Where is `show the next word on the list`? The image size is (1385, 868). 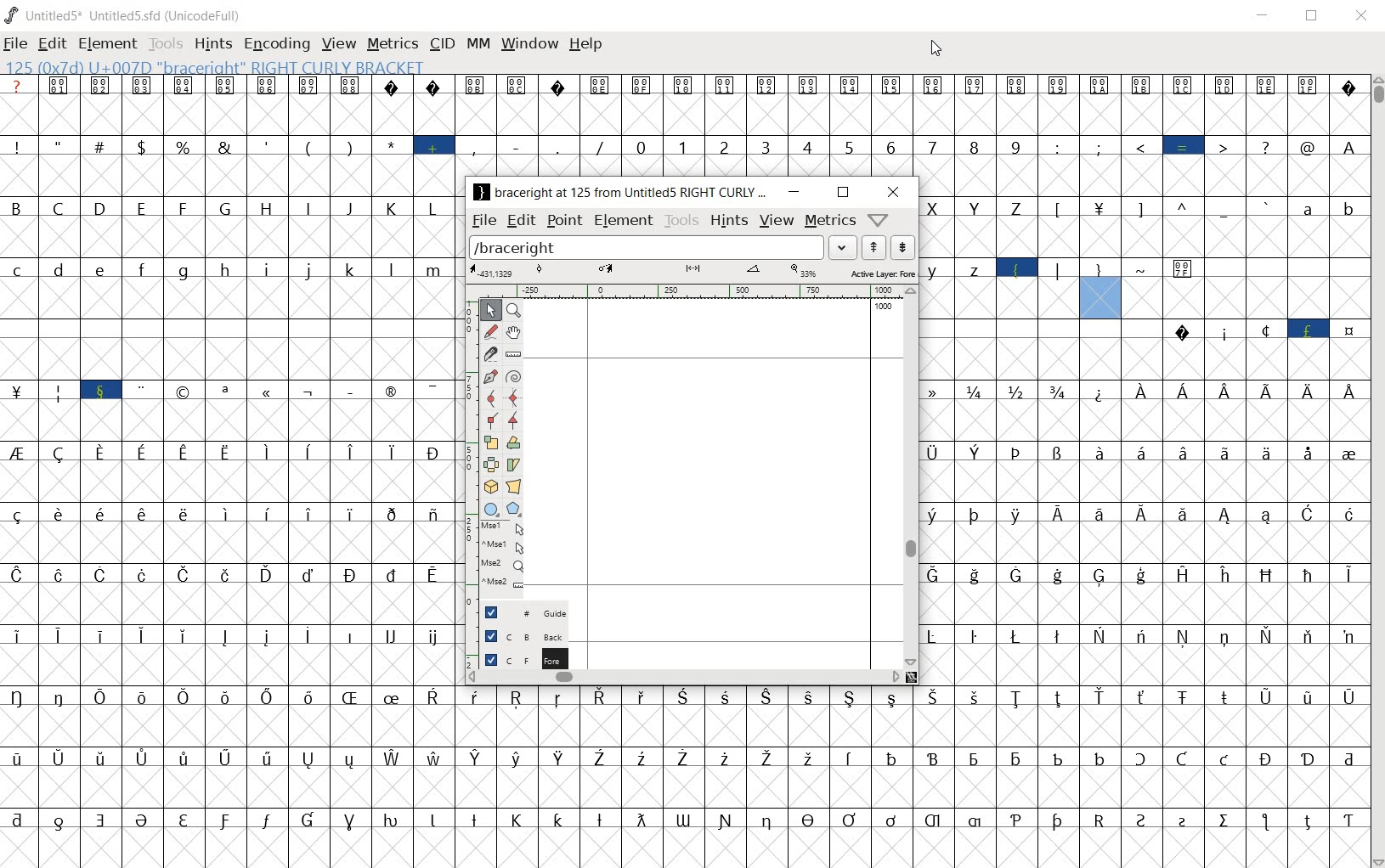
show the next word on the list is located at coordinates (872, 247).